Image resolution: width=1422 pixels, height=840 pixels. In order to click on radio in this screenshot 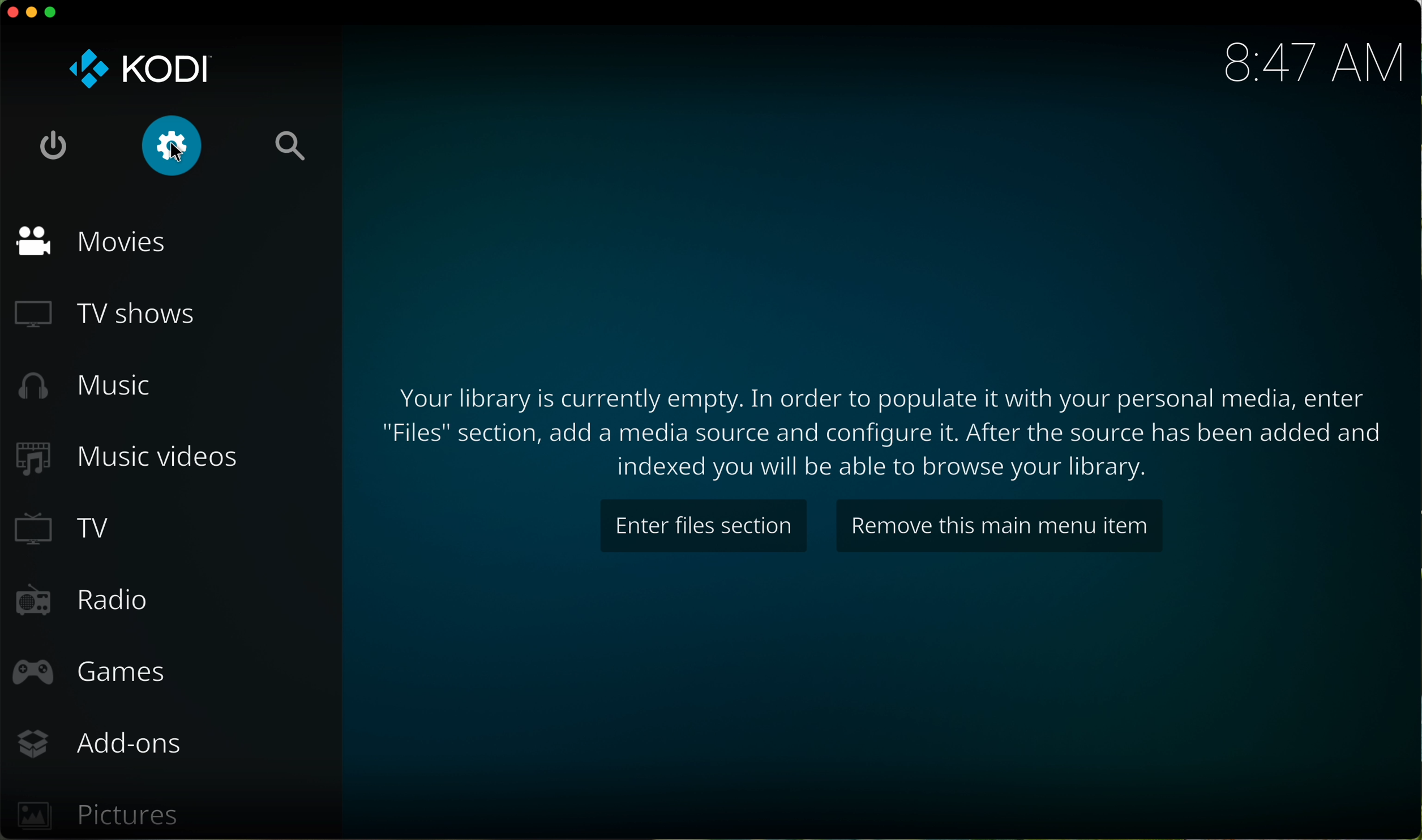, I will do `click(81, 600)`.